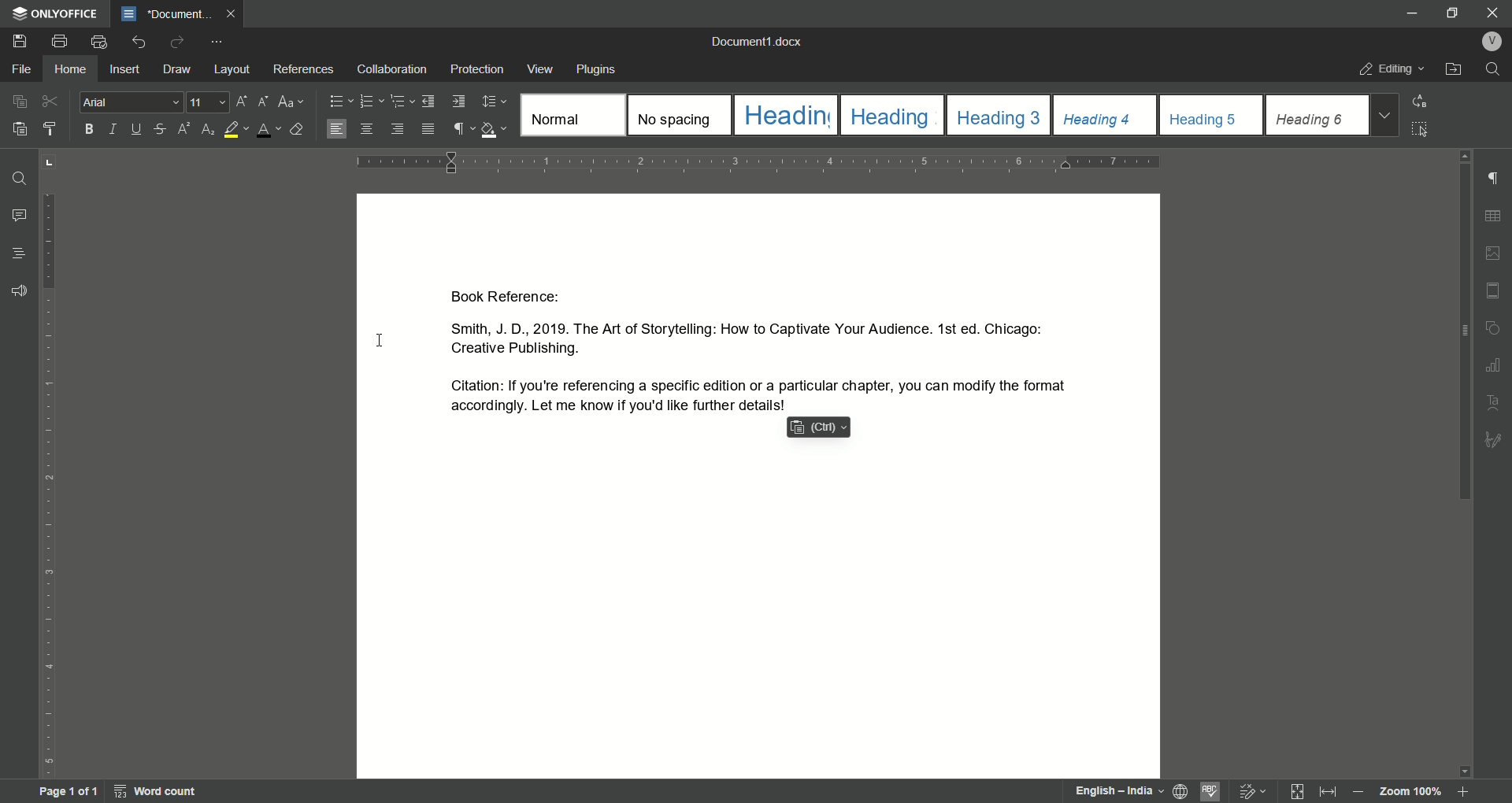  I want to click on font color, so click(269, 131).